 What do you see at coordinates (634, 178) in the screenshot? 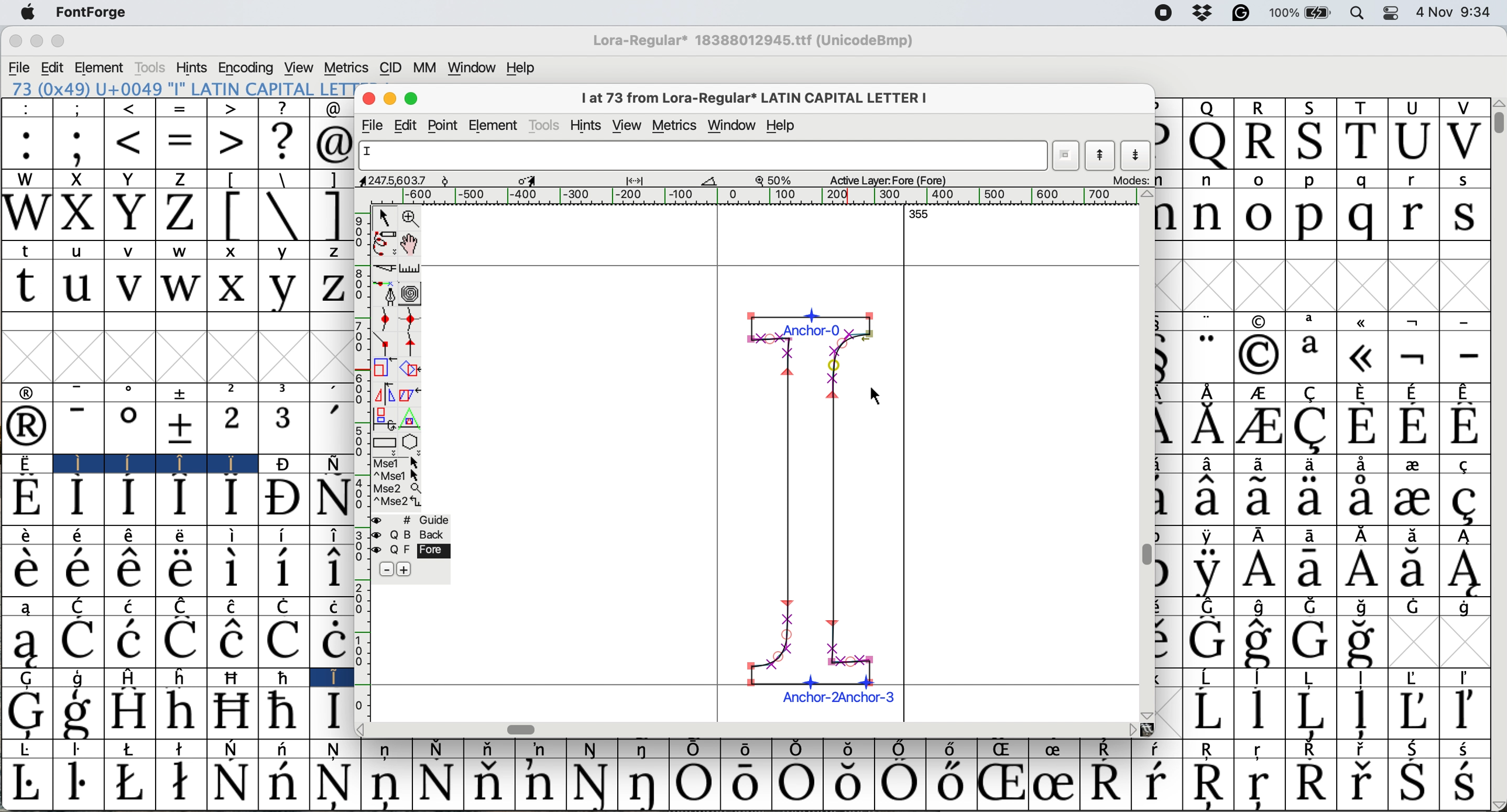
I see `` at bounding box center [634, 178].